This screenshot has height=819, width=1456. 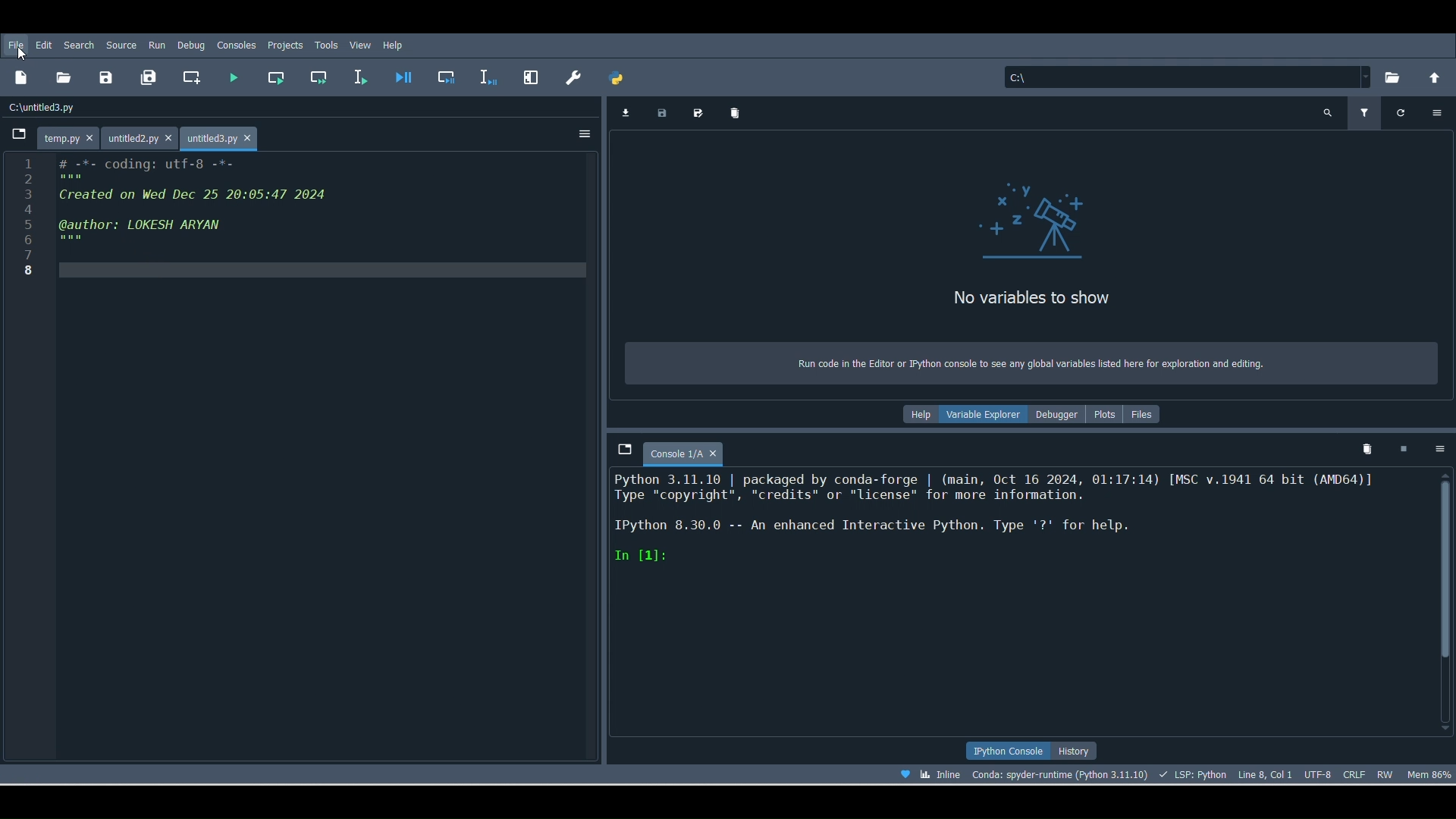 What do you see at coordinates (916, 413) in the screenshot?
I see `Help` at bounding box center [916, 413].